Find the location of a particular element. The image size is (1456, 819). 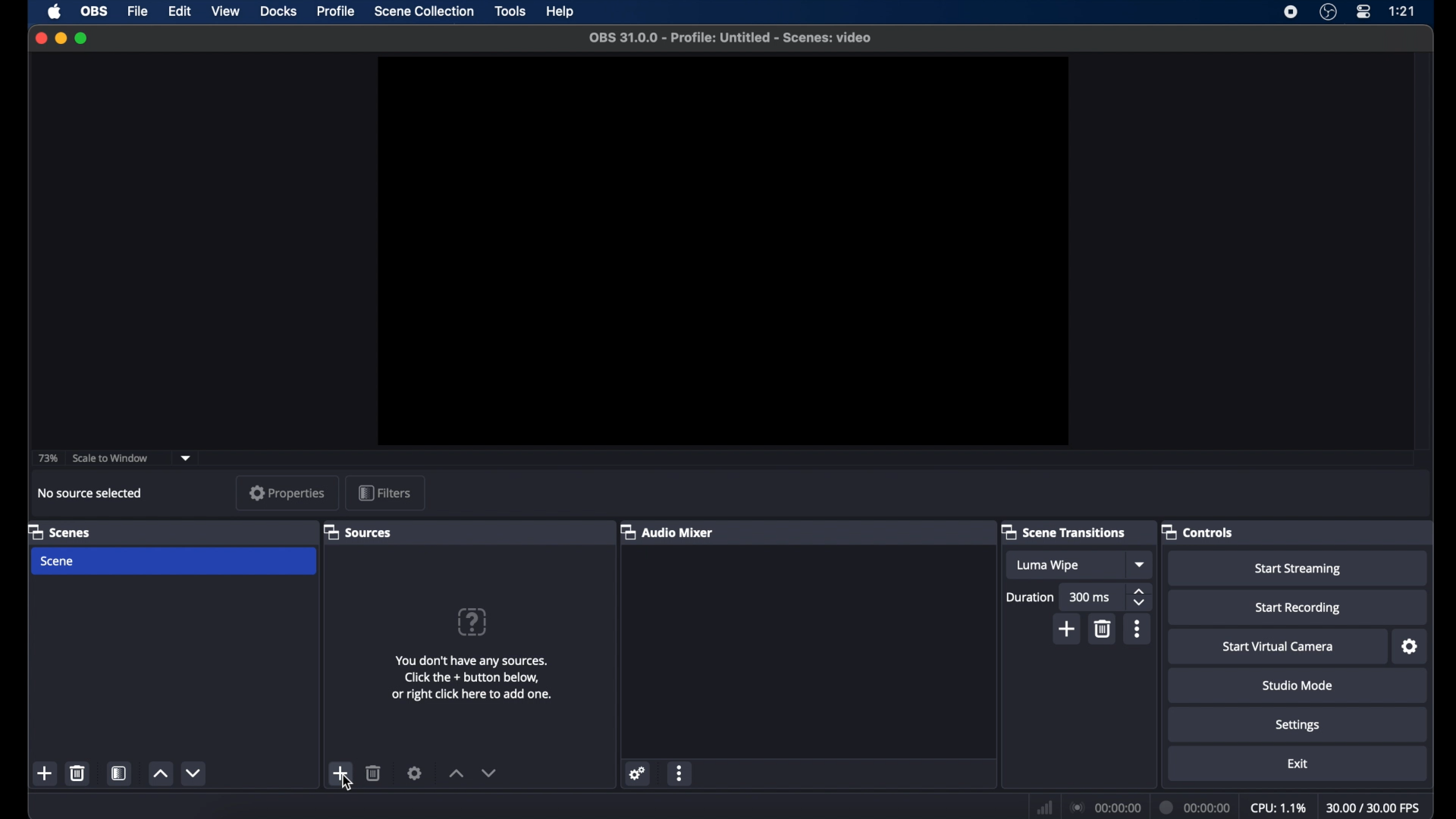

sources is located at coordinates (358, 532).